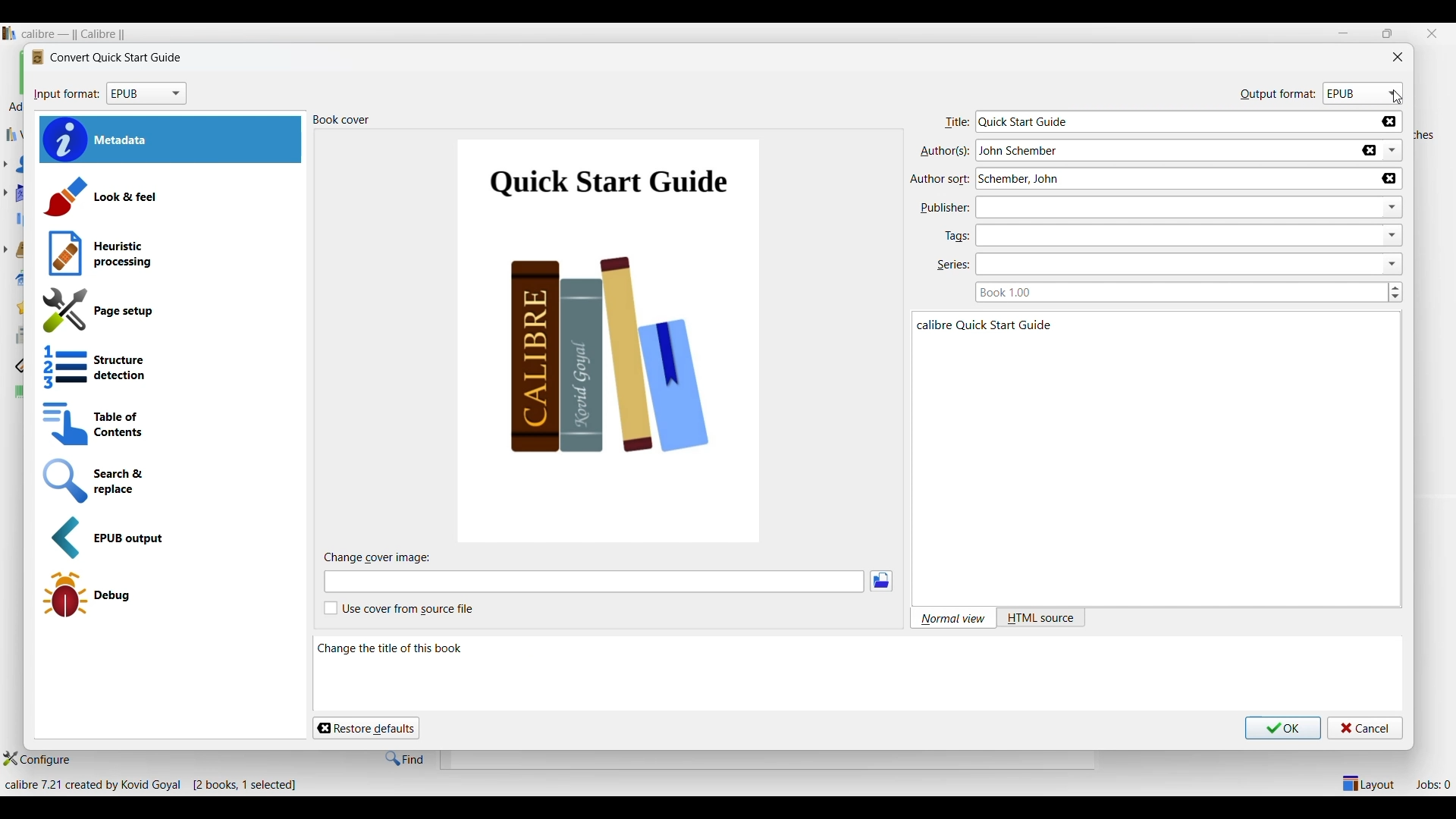 Image resolution: width=1456 pixels, height=819 pixels. I want to click on Toggle for cover from source file, so click(399, 608).